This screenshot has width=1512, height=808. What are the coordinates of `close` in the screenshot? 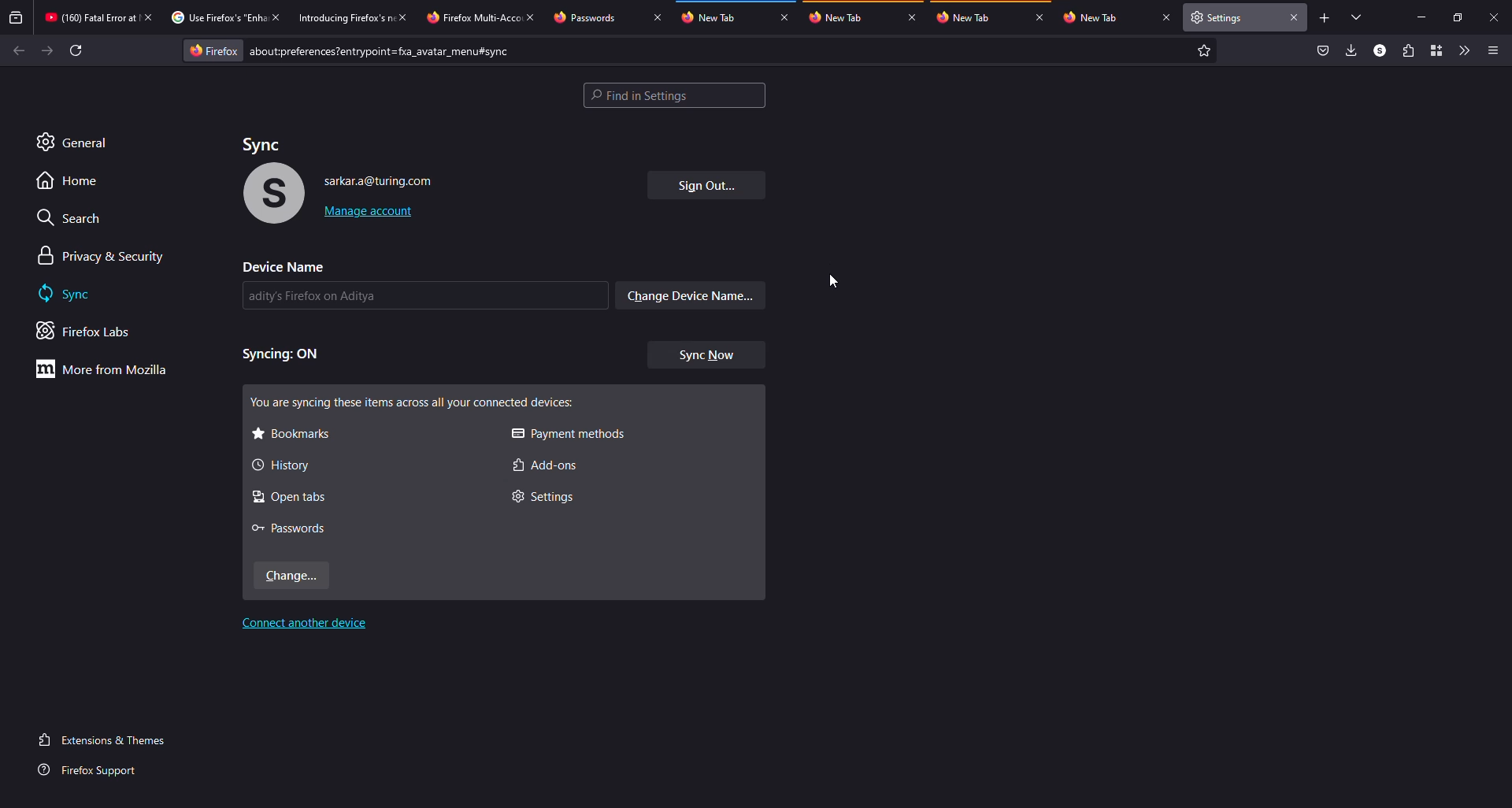 It's located at (784, 17).